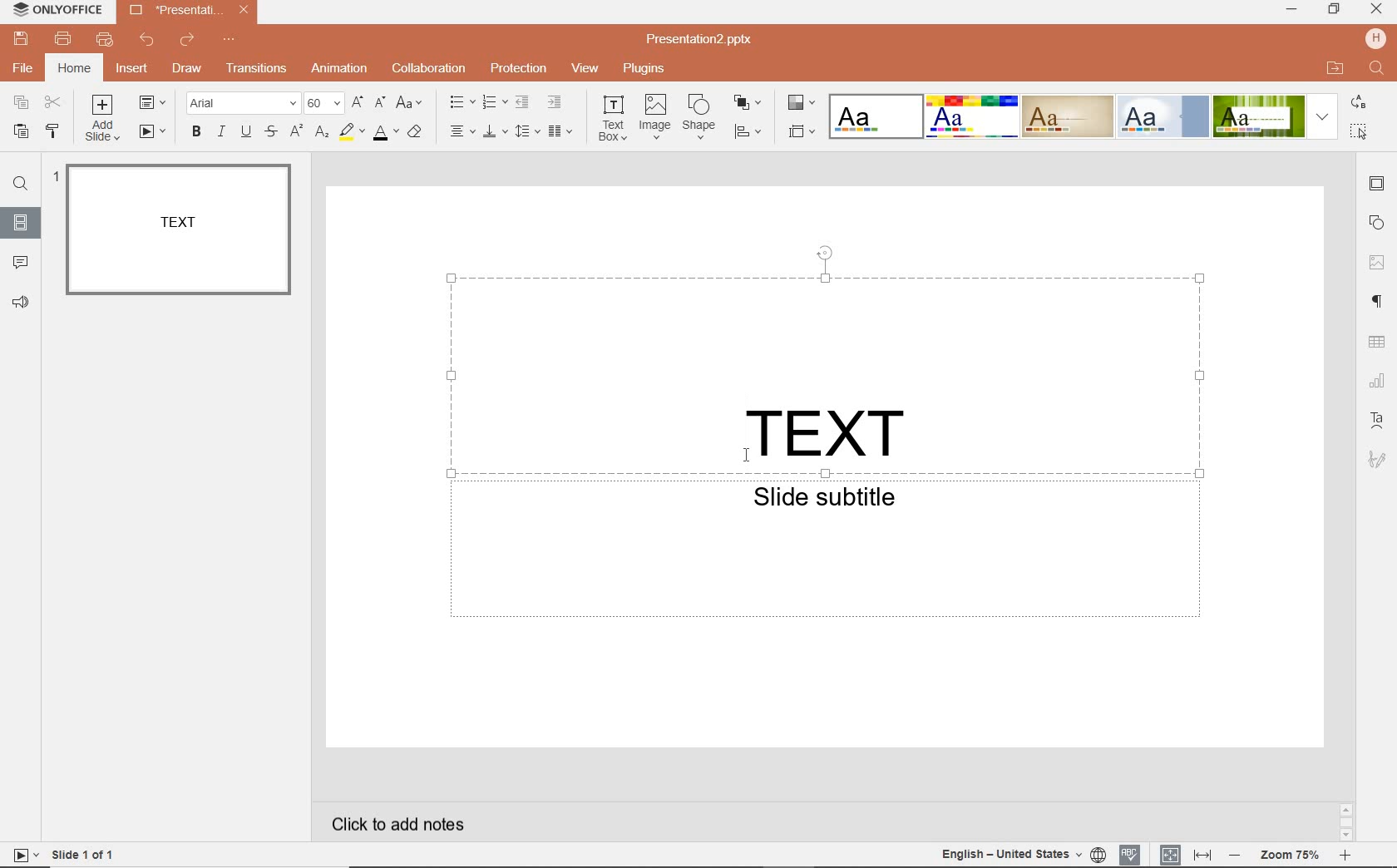 The width and height of the screenshot is (1397, 868). I want to click on CHANGE COLOR THEME, so click(800, 104).